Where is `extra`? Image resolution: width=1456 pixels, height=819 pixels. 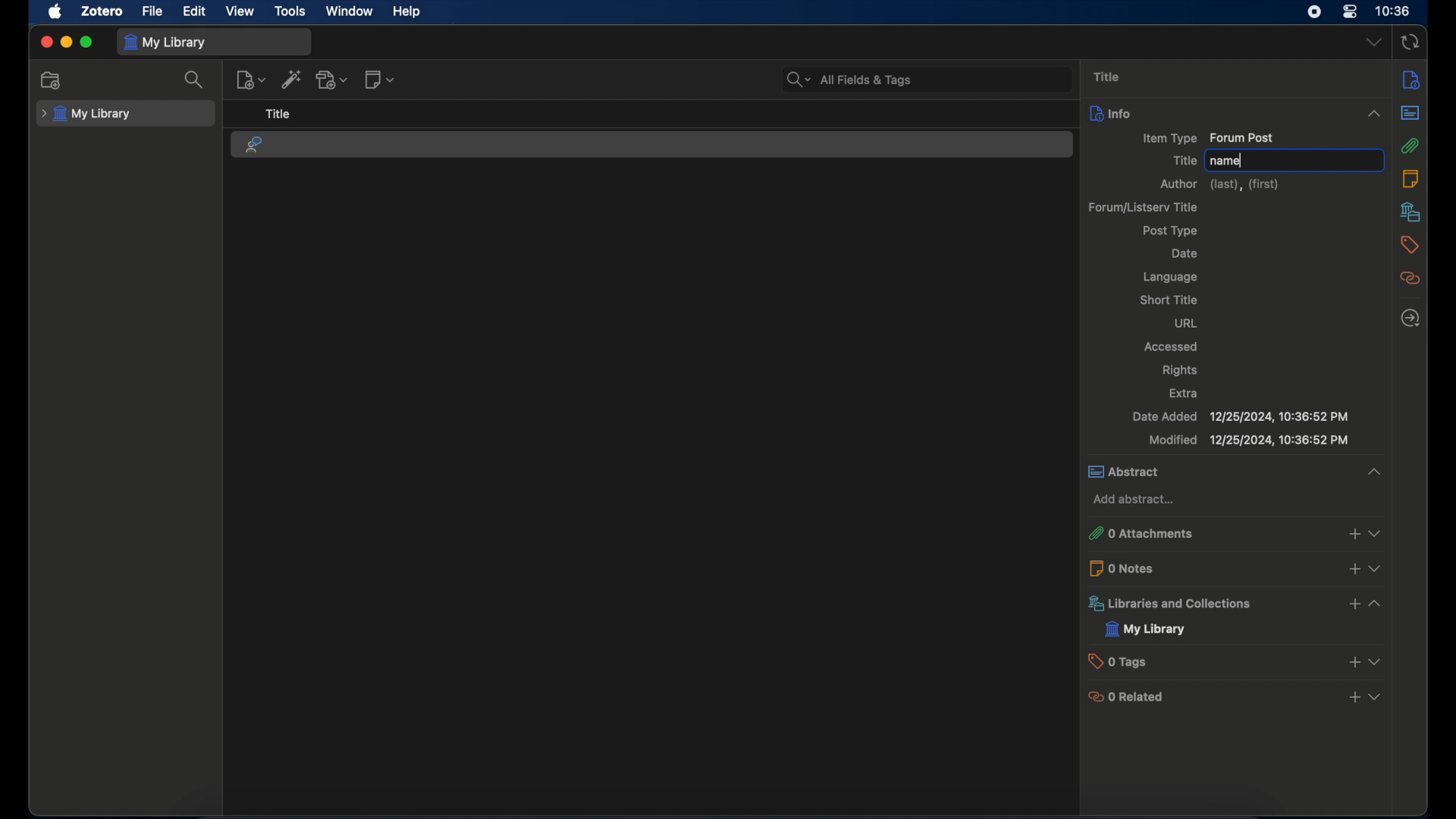 extra is located at coordinates (1183, 393).